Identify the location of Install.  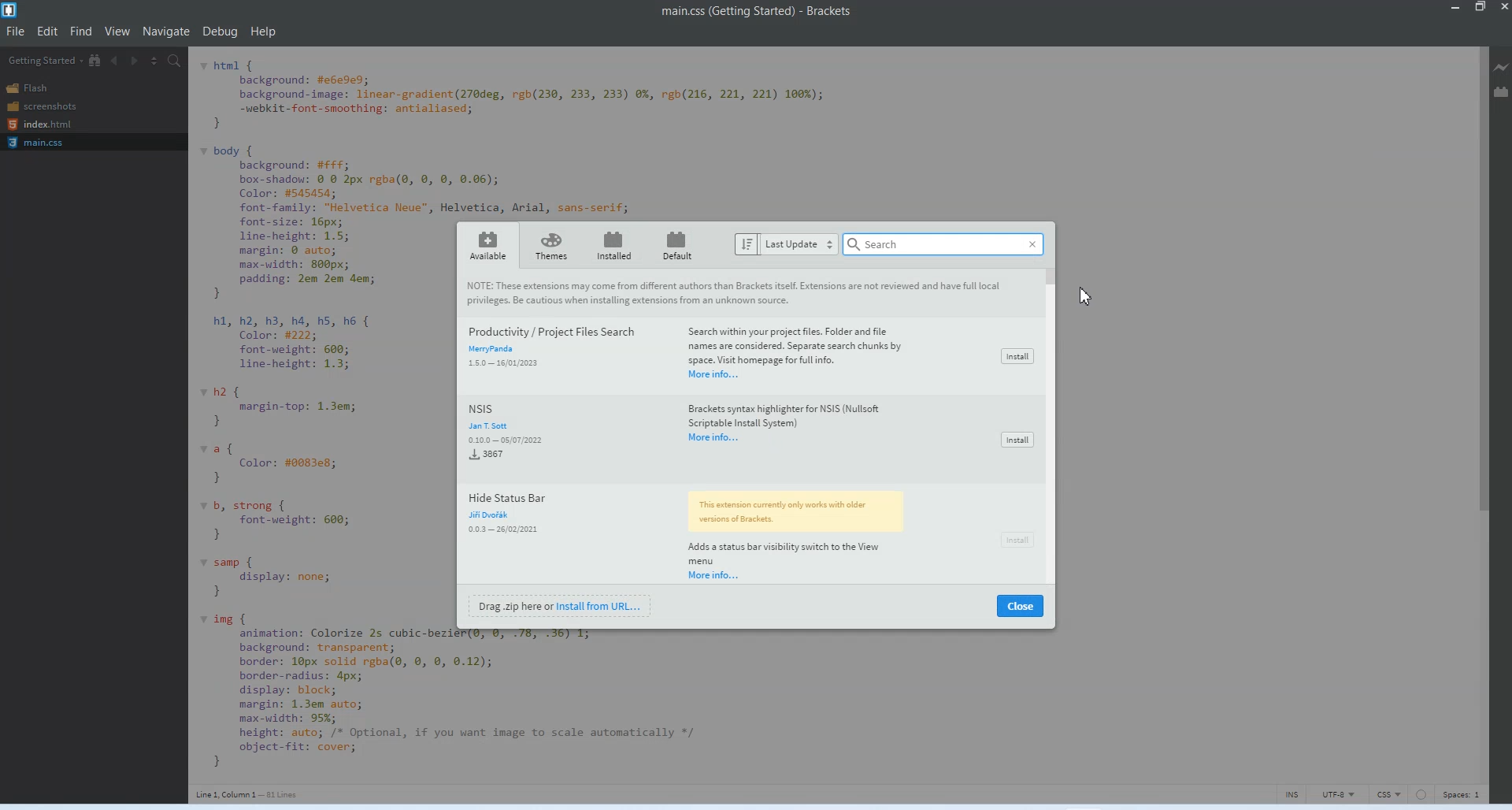
(1016, 355).